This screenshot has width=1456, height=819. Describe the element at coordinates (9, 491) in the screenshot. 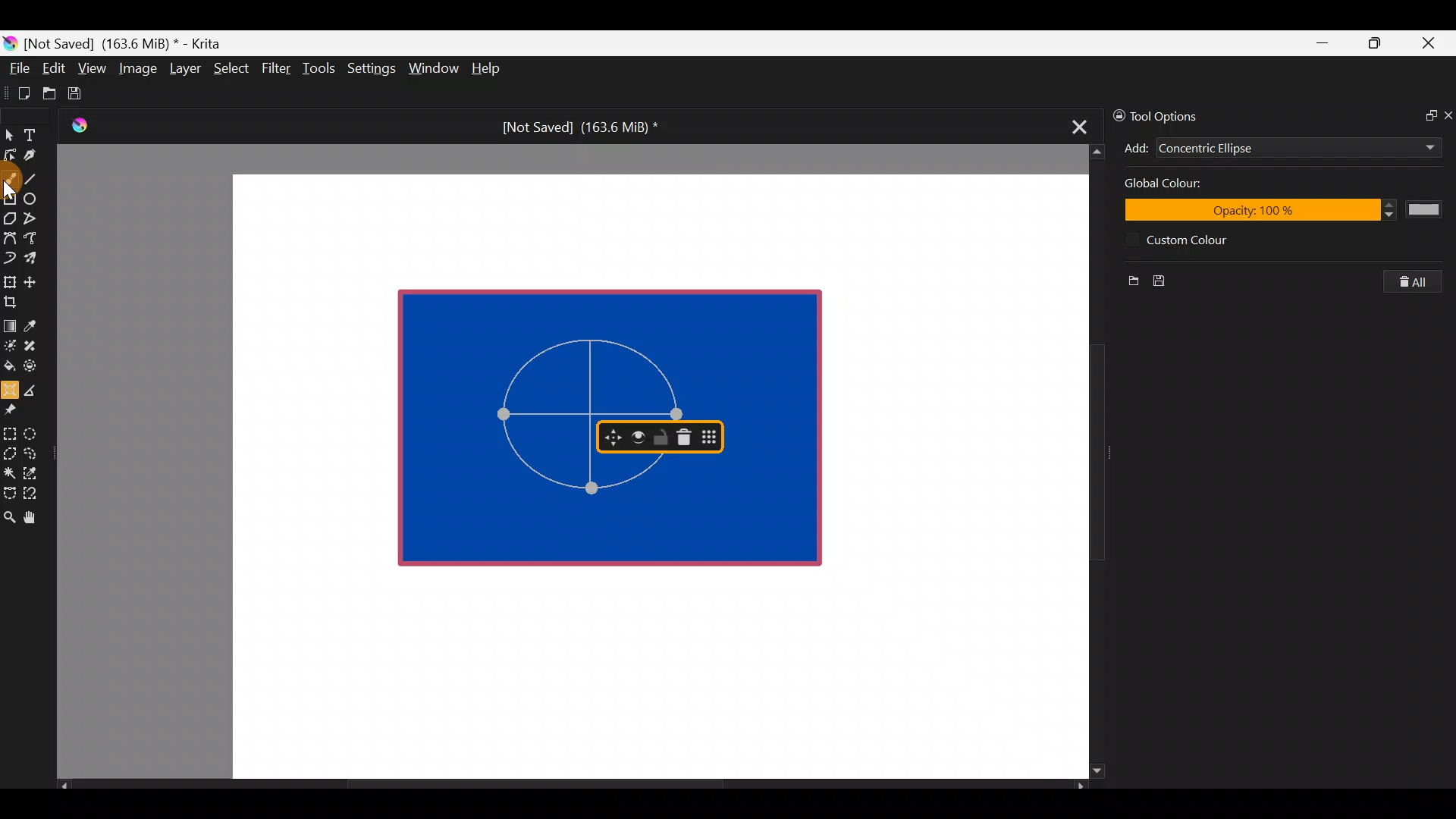

I see `Bezier curve selection tool` at that location.